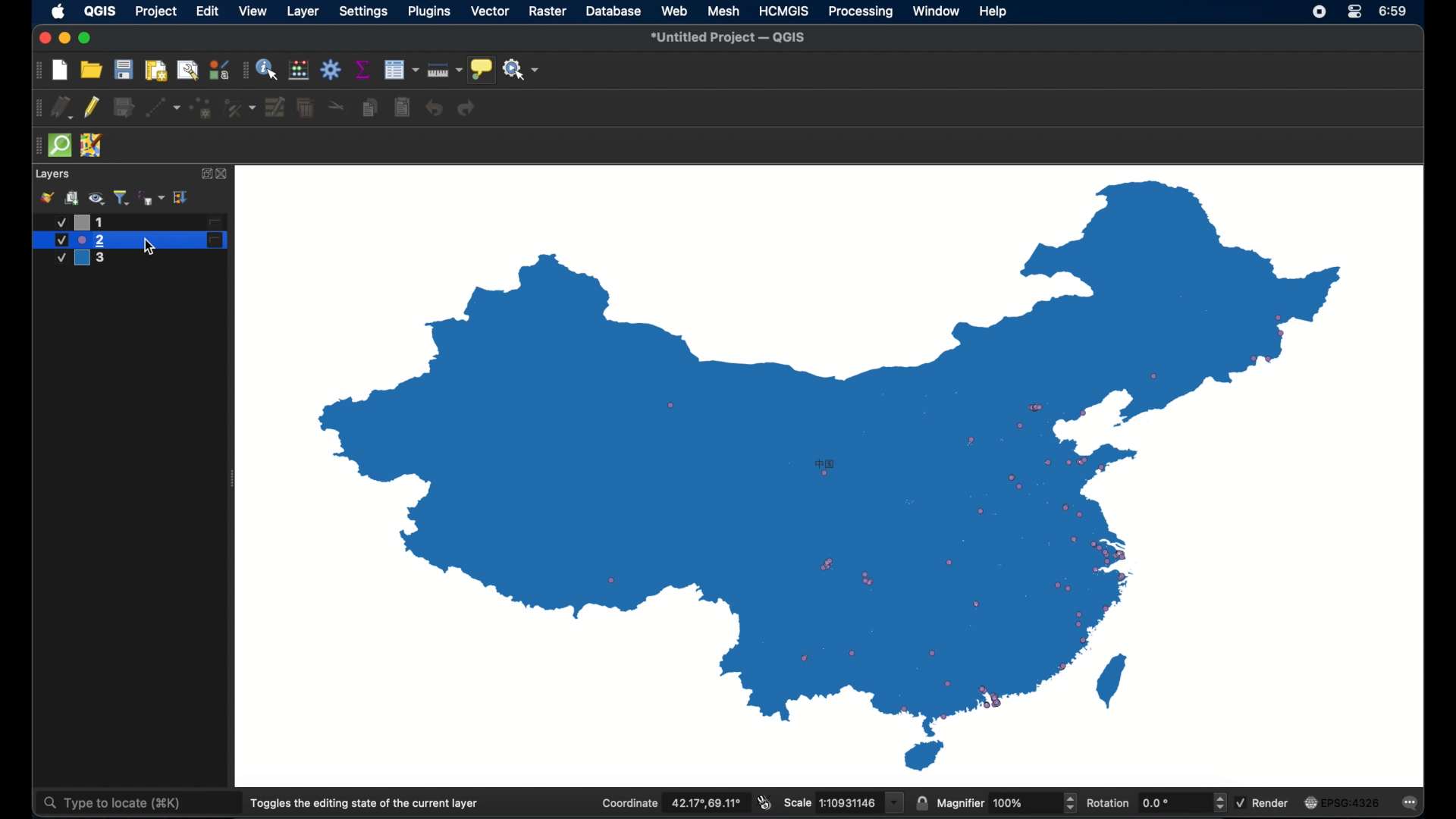  What do you see at coordinates (445, 70) in the screenshot?
I see `measure line` at bounding box center [445, 70].